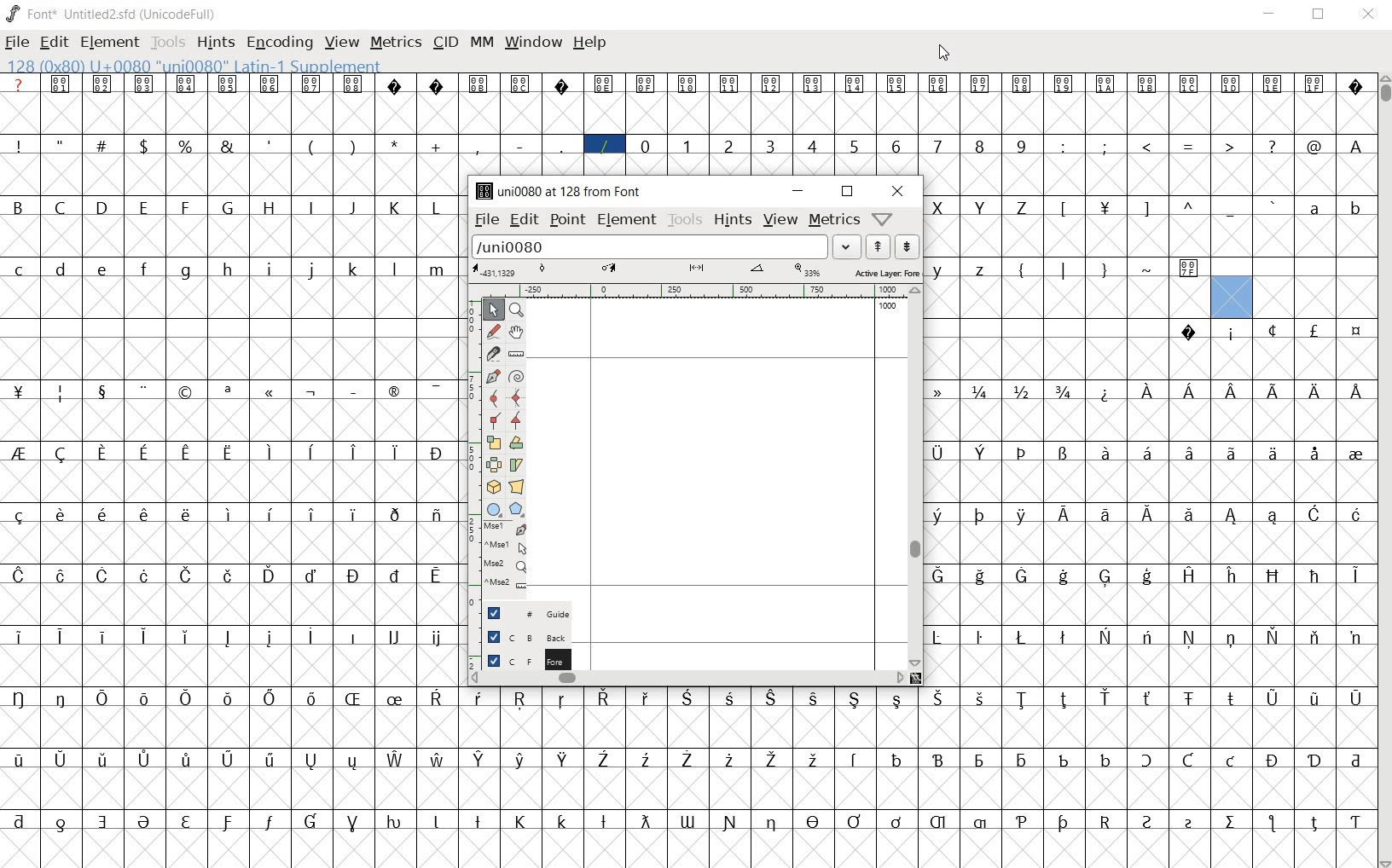 The width and height of the screenshot is (1392, 868). What do you see at coordinates (1314, 330) in the screenshot?
I see `glyph` at bounding box center [1314, 330].